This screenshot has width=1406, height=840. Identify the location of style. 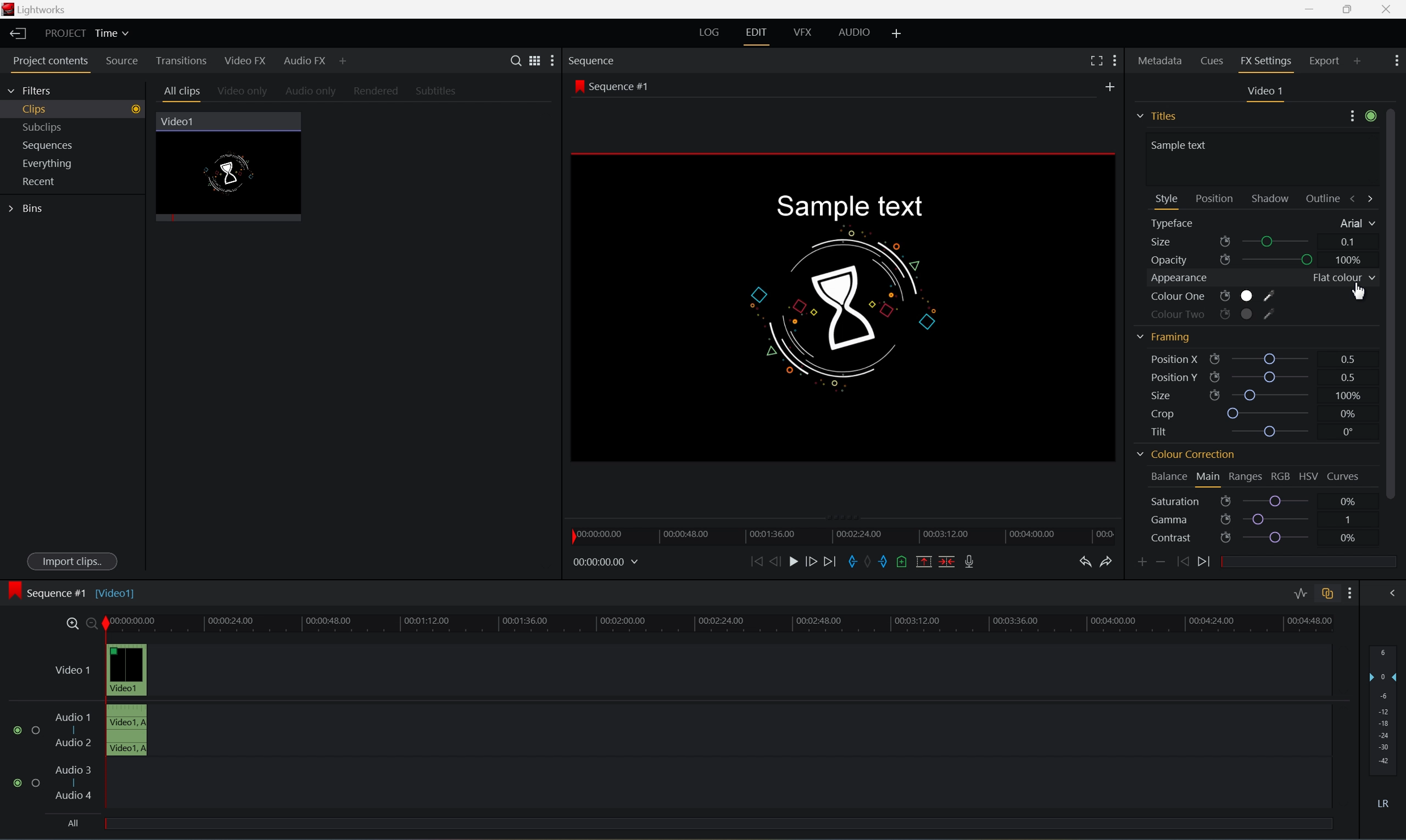
(1167, 198).